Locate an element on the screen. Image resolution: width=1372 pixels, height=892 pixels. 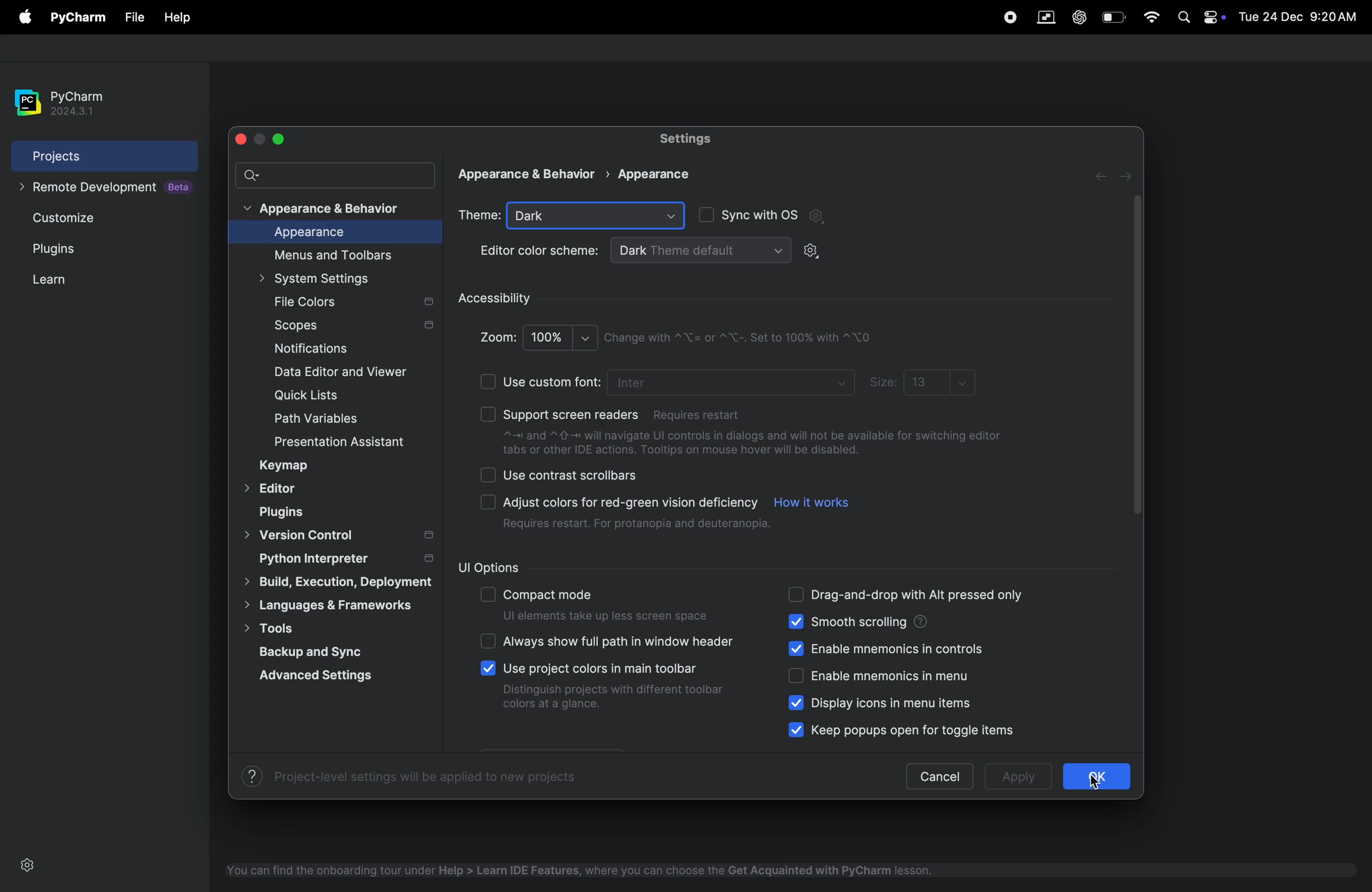
compact mode is located at coordinates (608, 607).